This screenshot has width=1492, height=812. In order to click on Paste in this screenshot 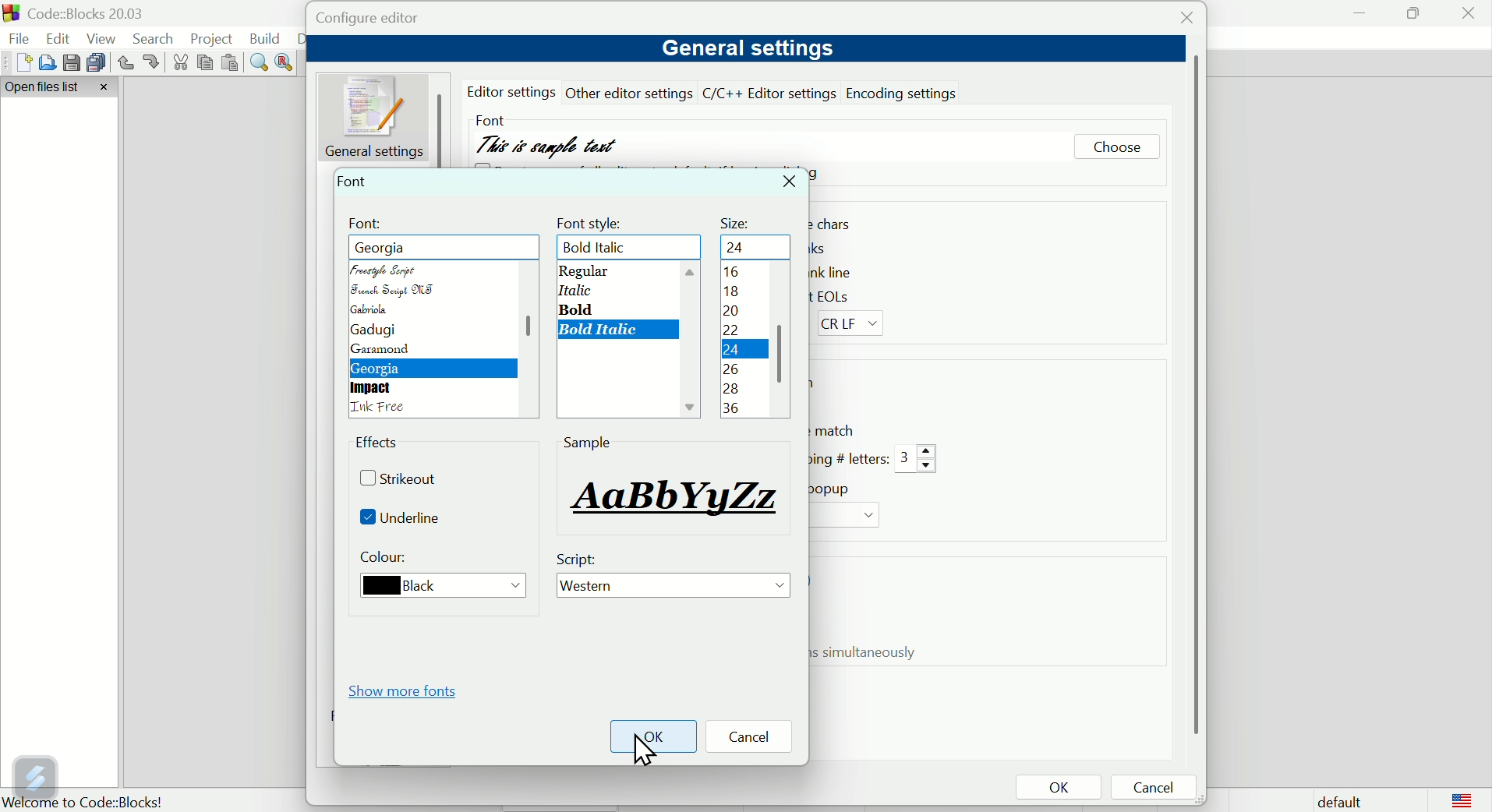, I will do `click(232, 63)`.